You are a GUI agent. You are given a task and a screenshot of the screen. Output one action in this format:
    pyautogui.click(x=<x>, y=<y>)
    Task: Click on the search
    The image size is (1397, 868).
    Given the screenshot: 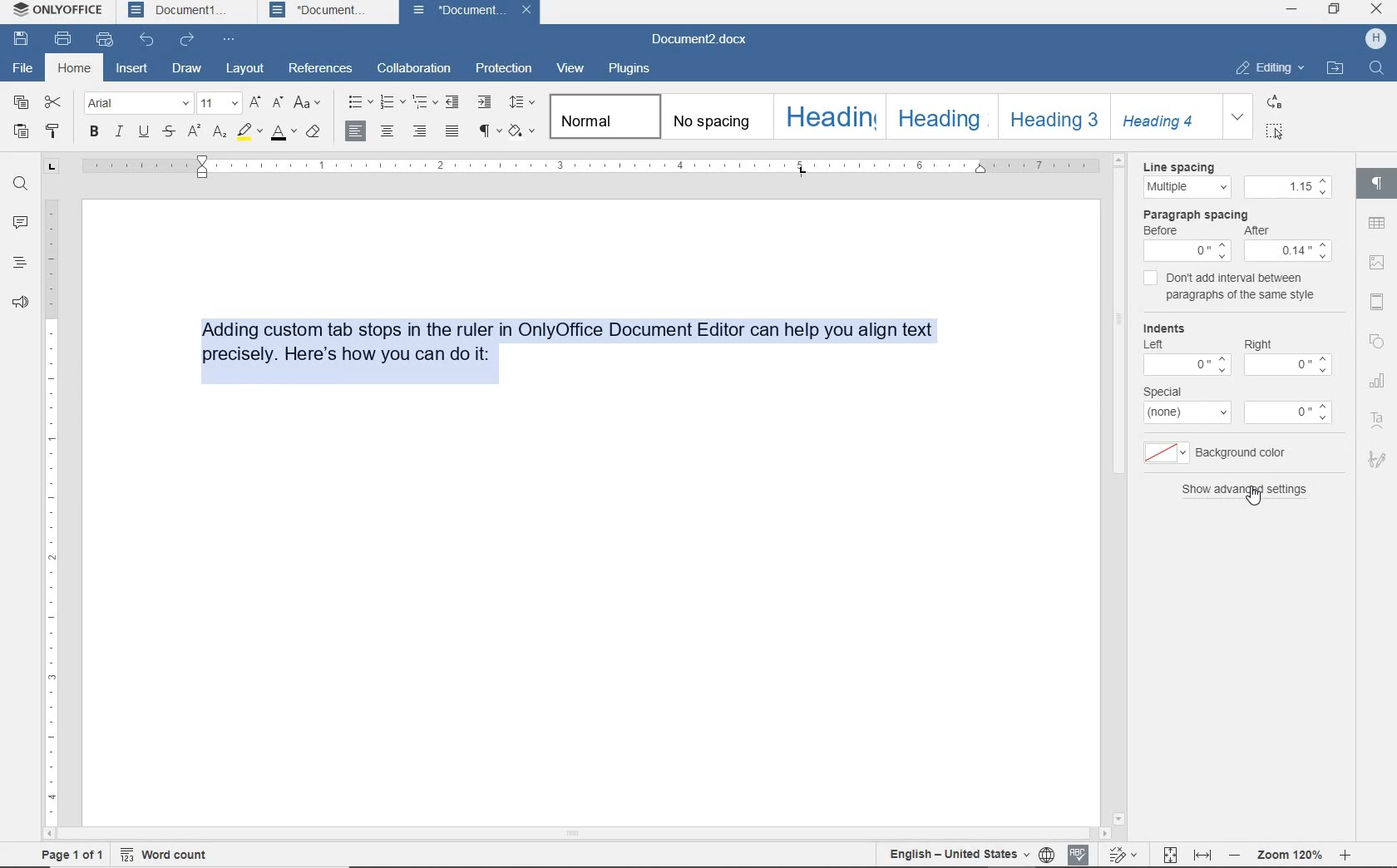 What is the action you would take?
    pyautogui.click(x=1376, y=72)
    